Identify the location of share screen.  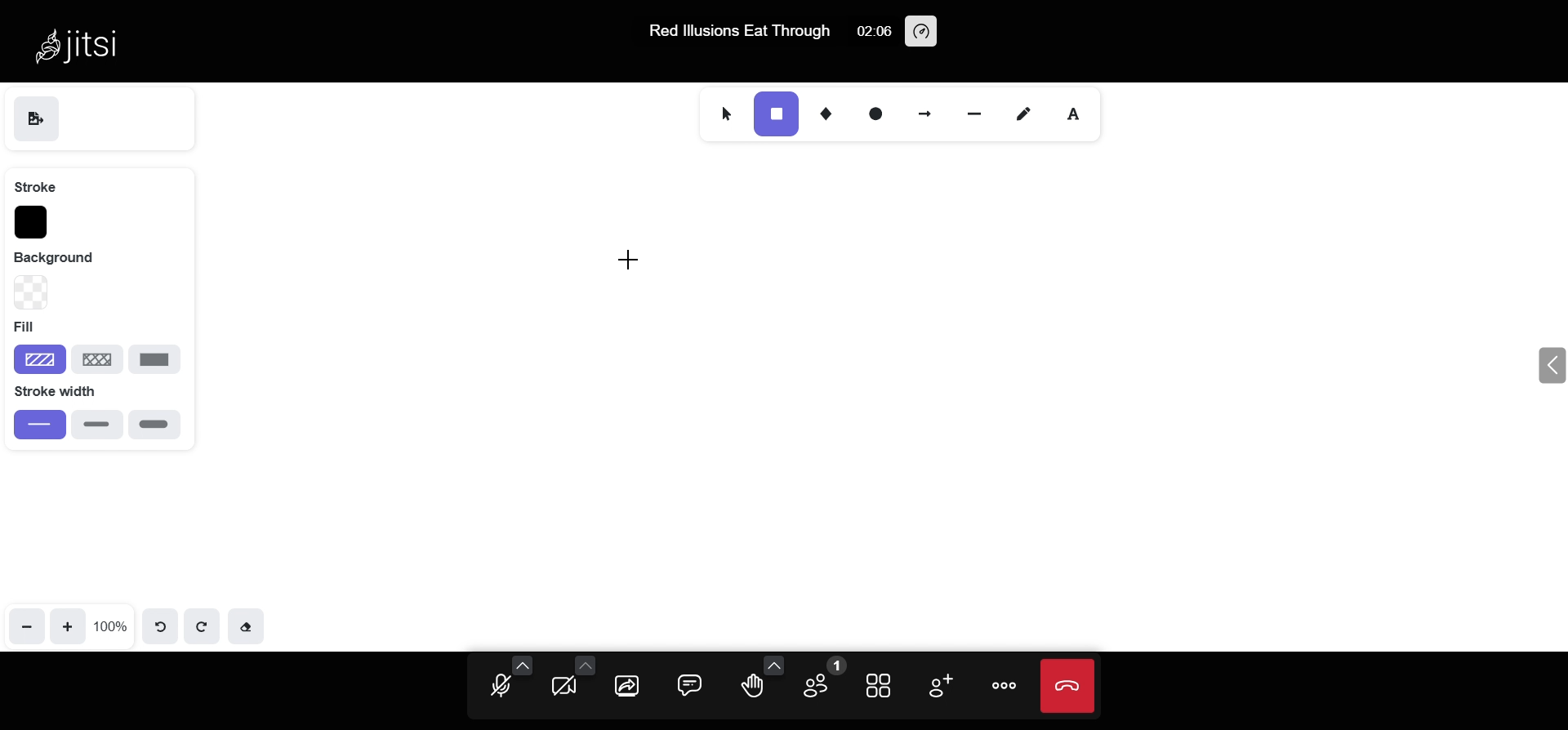
(629, 686).